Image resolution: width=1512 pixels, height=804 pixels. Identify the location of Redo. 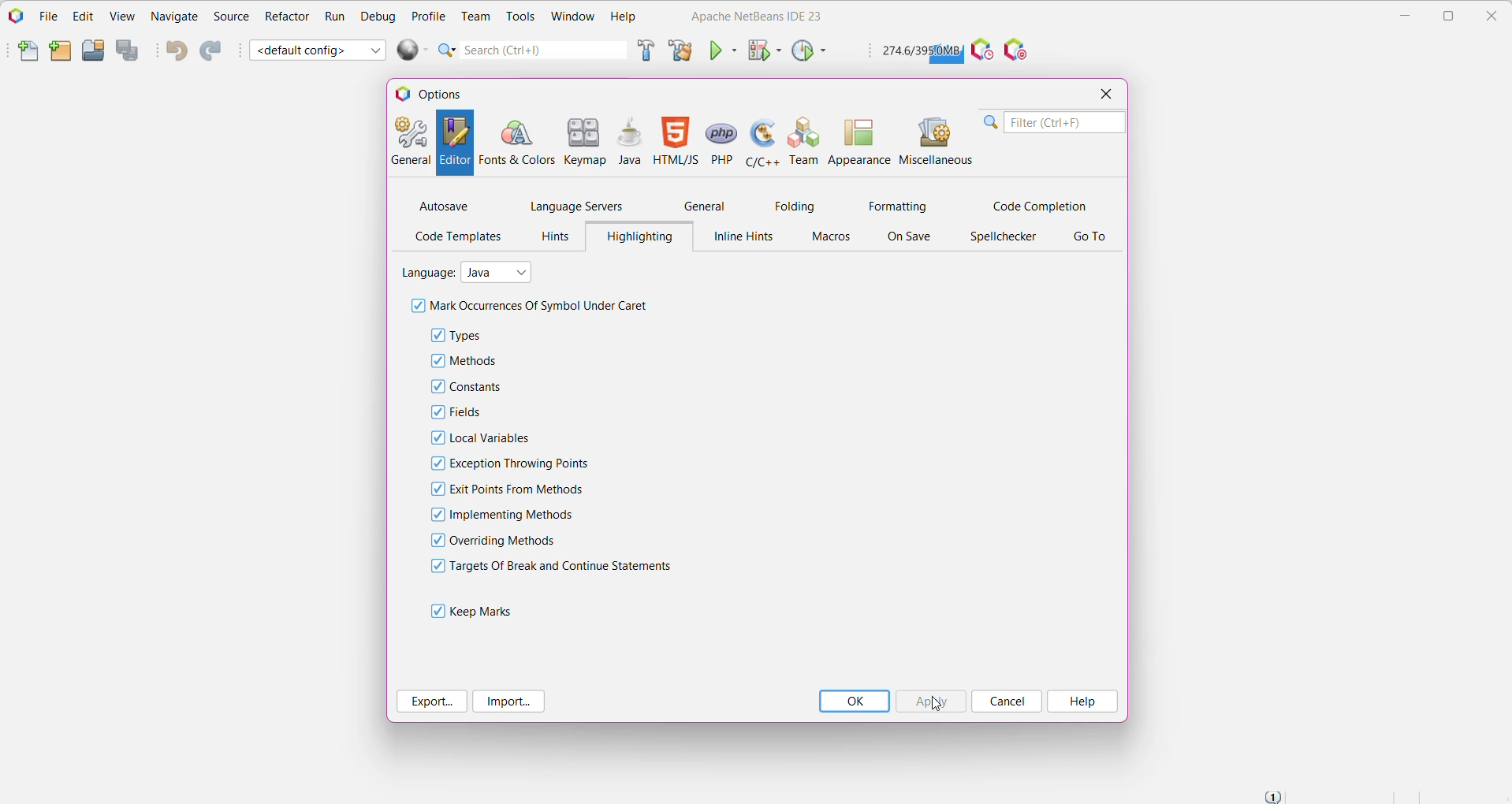
(214, 50).